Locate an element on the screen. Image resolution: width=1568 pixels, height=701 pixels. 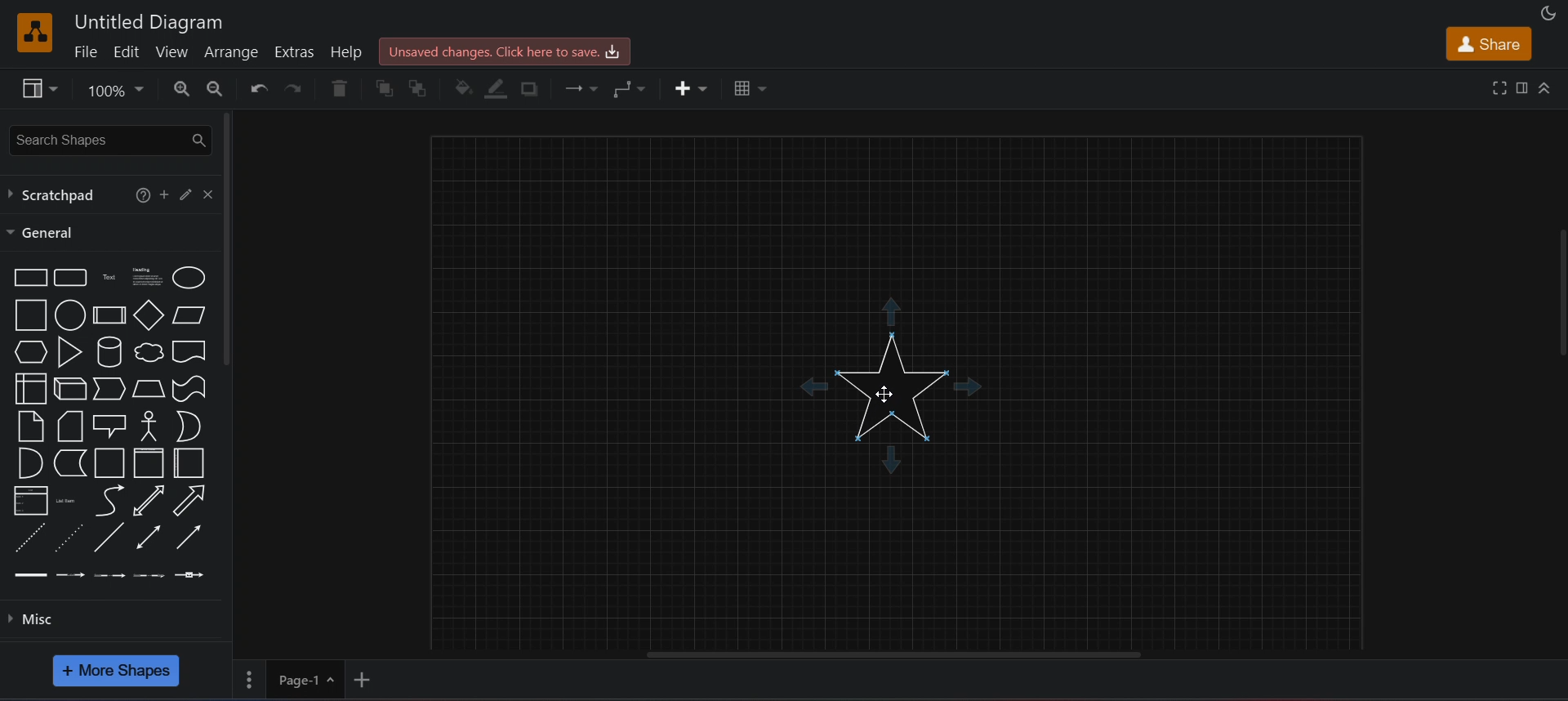
more shapes is located at coordinates (118, 671).